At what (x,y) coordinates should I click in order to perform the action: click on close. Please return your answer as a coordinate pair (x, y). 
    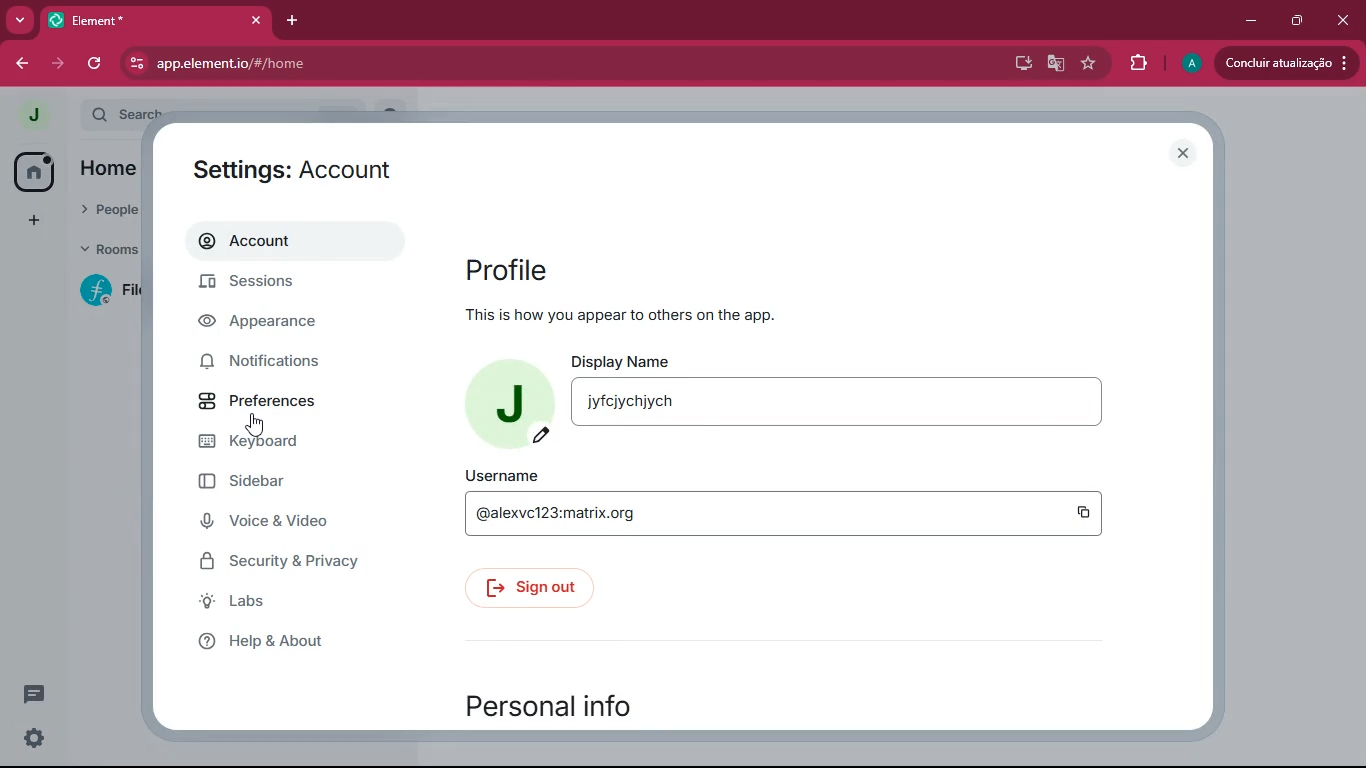
    Looking at the image, I should click on (1186, 155).